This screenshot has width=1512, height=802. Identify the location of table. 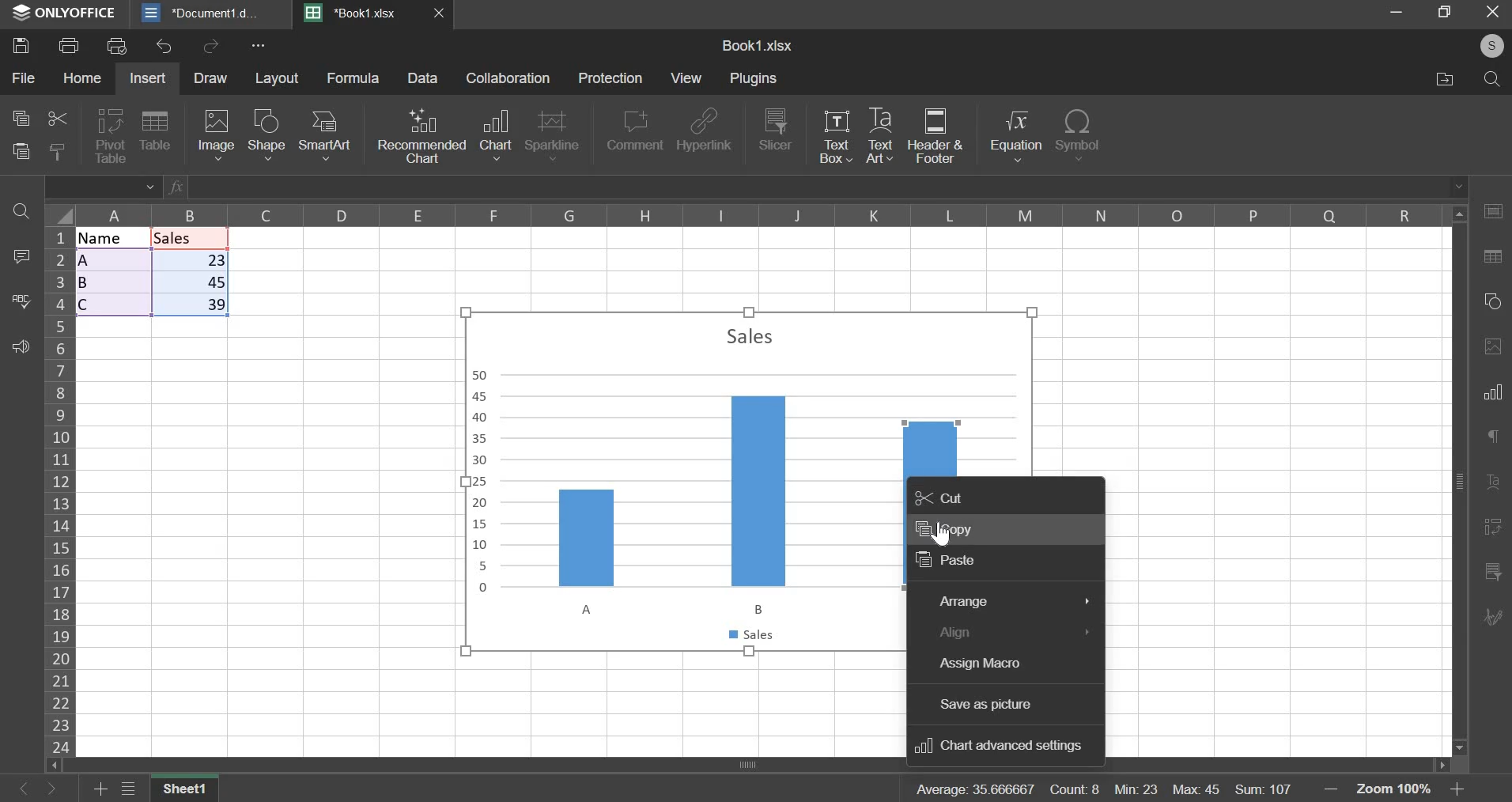
(155, 133).